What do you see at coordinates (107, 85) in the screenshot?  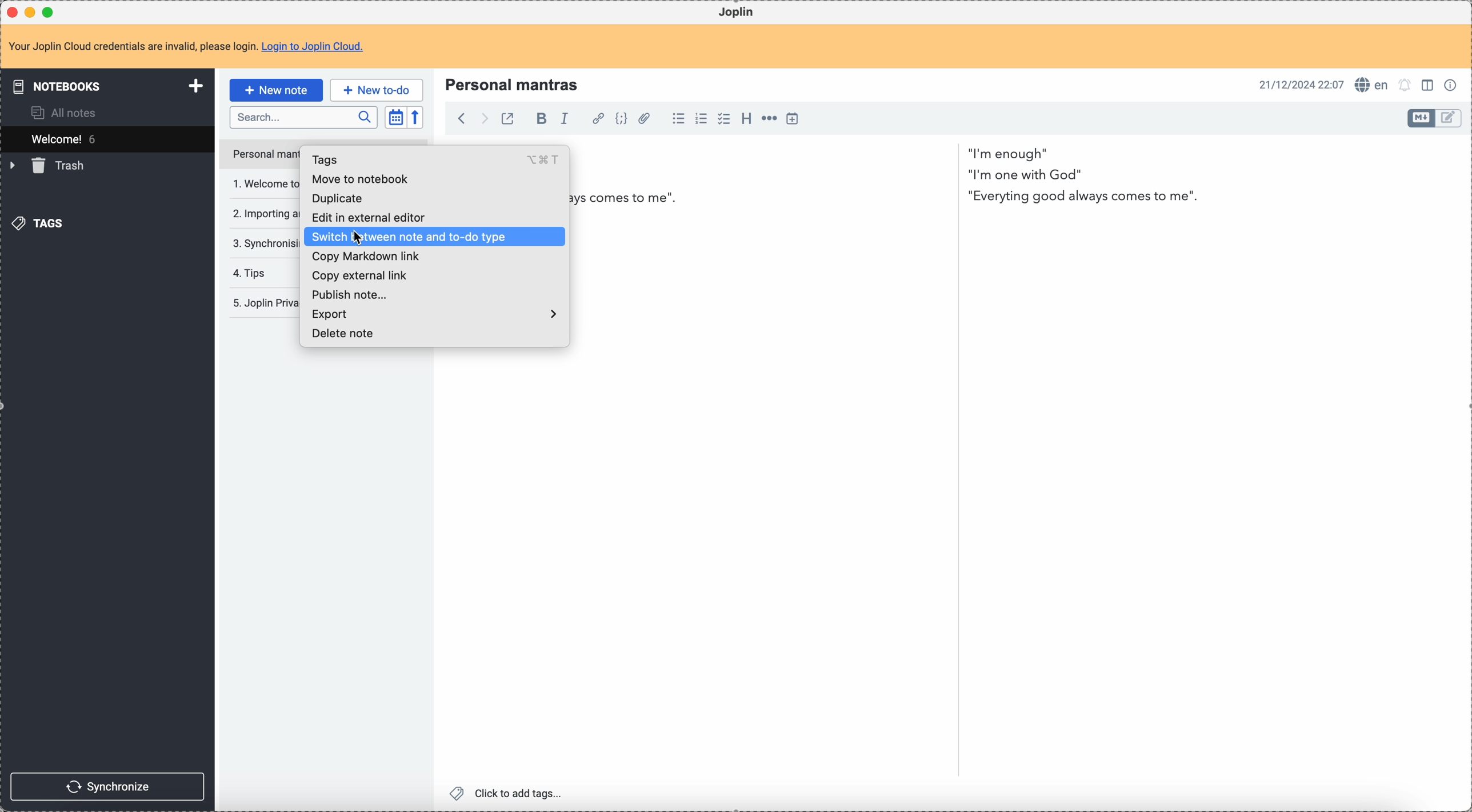 I see `notebooks` at bounding box center [107, 85].